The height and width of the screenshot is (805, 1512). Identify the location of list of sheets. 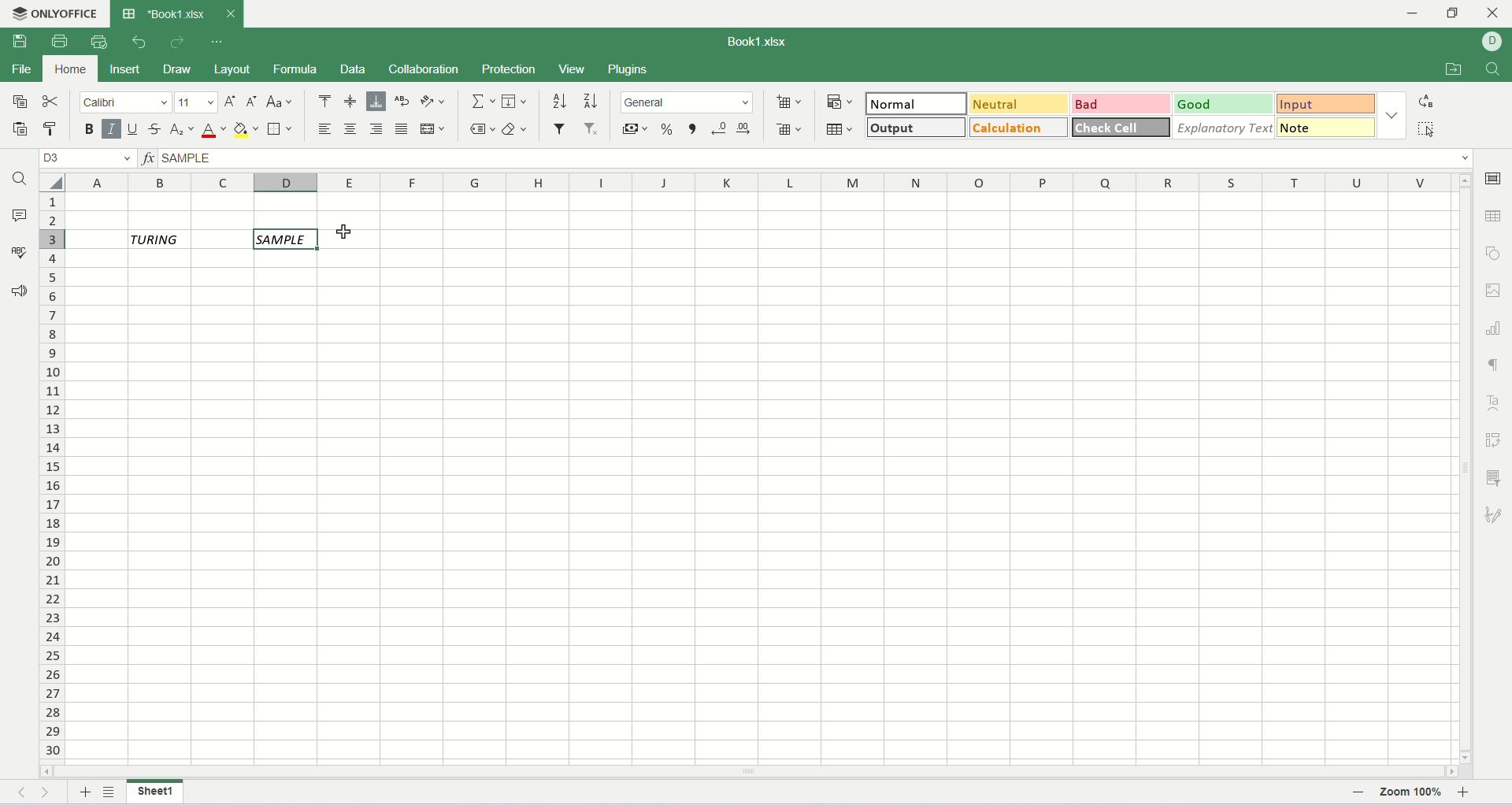
(111, 792).